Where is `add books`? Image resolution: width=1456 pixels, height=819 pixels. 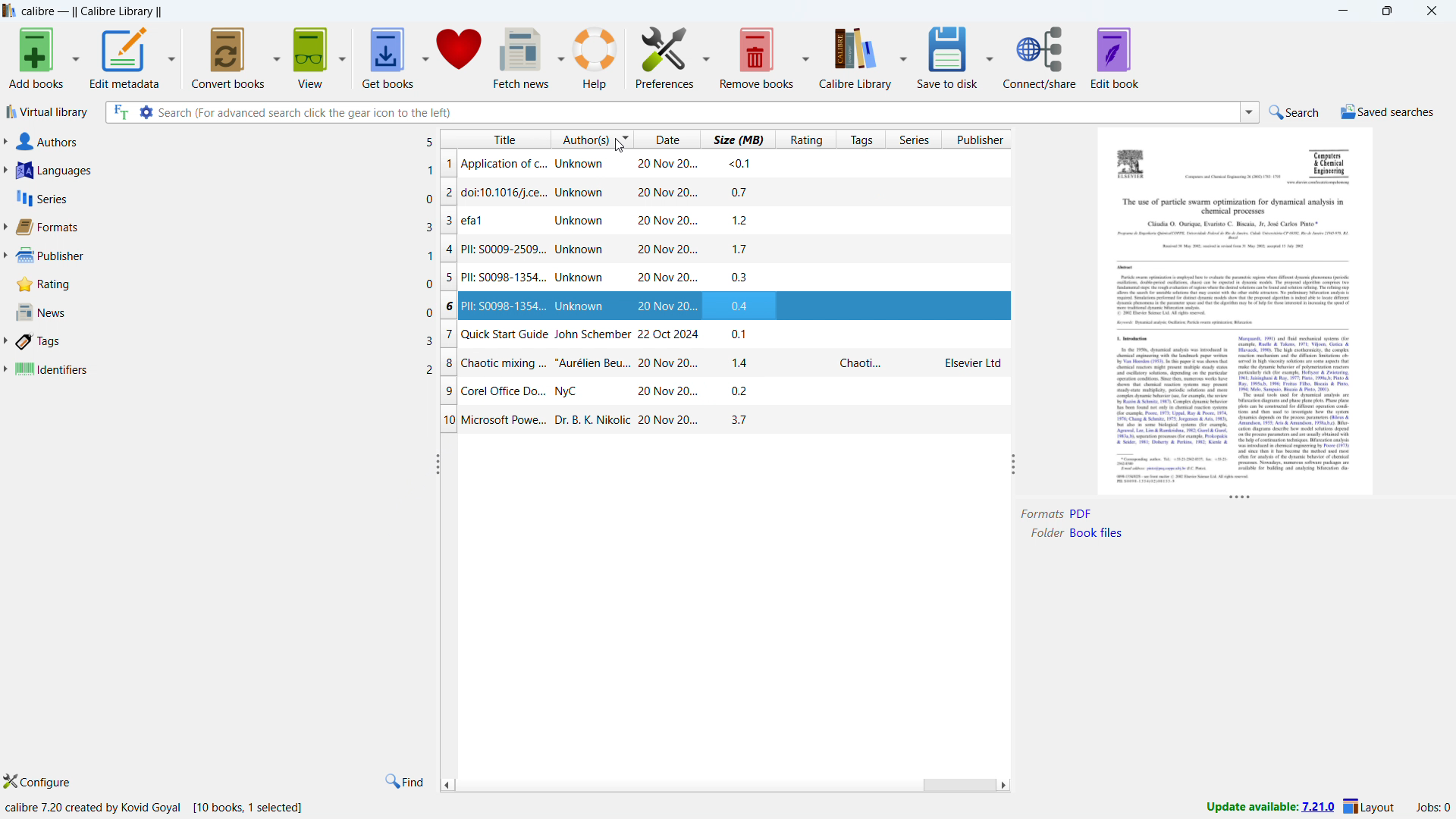
add books is located at coordinates (35, 57).